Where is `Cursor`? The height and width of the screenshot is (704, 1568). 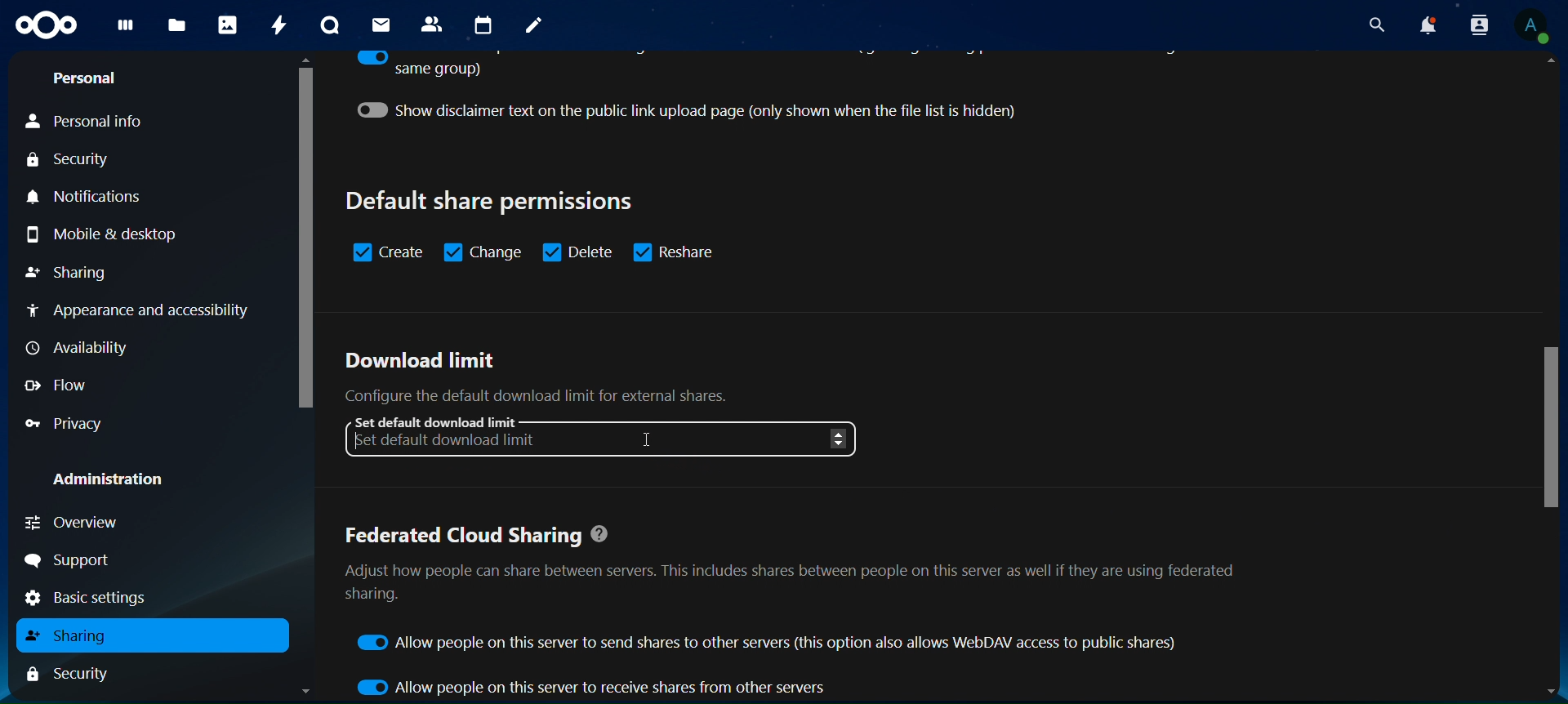
Cursor is located at coordinates (652, 446).